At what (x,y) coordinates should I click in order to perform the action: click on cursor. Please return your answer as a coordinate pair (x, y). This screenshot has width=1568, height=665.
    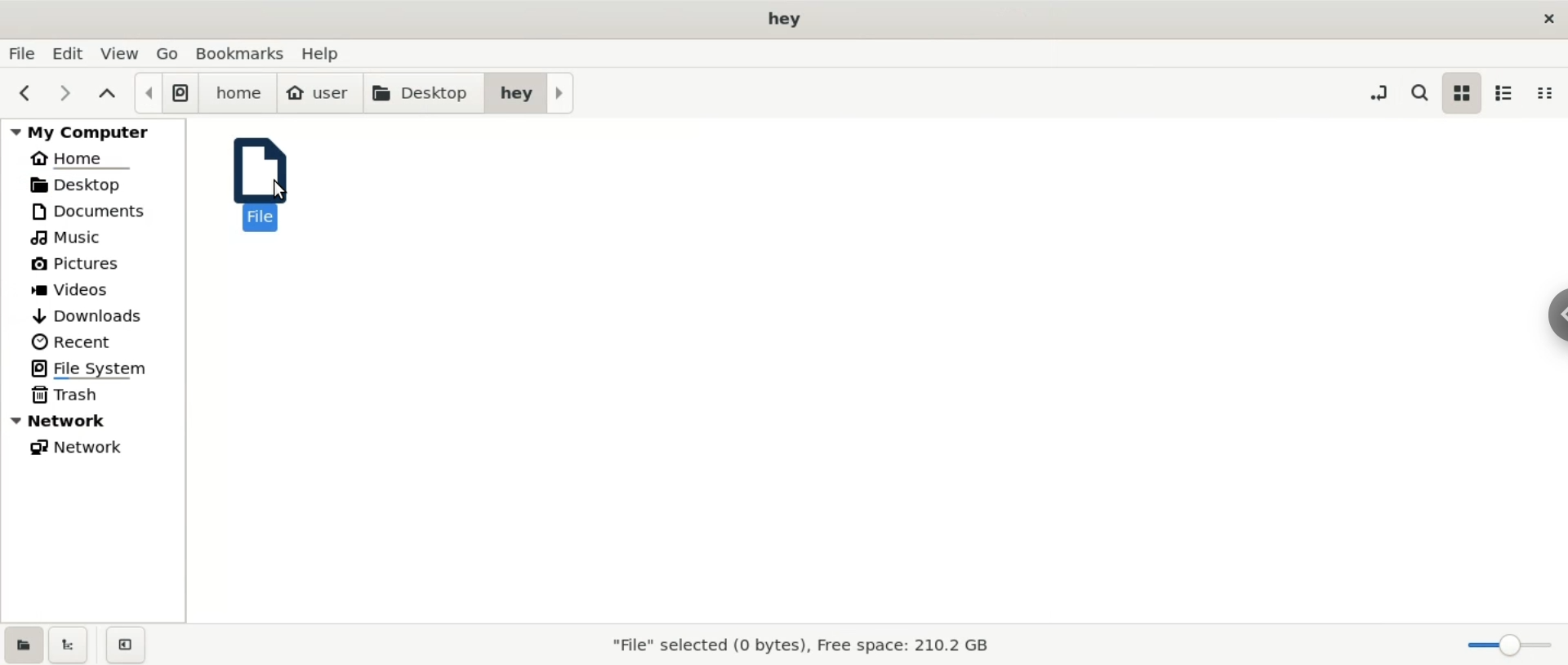
    Looking at the image, I should click on (281, 190).